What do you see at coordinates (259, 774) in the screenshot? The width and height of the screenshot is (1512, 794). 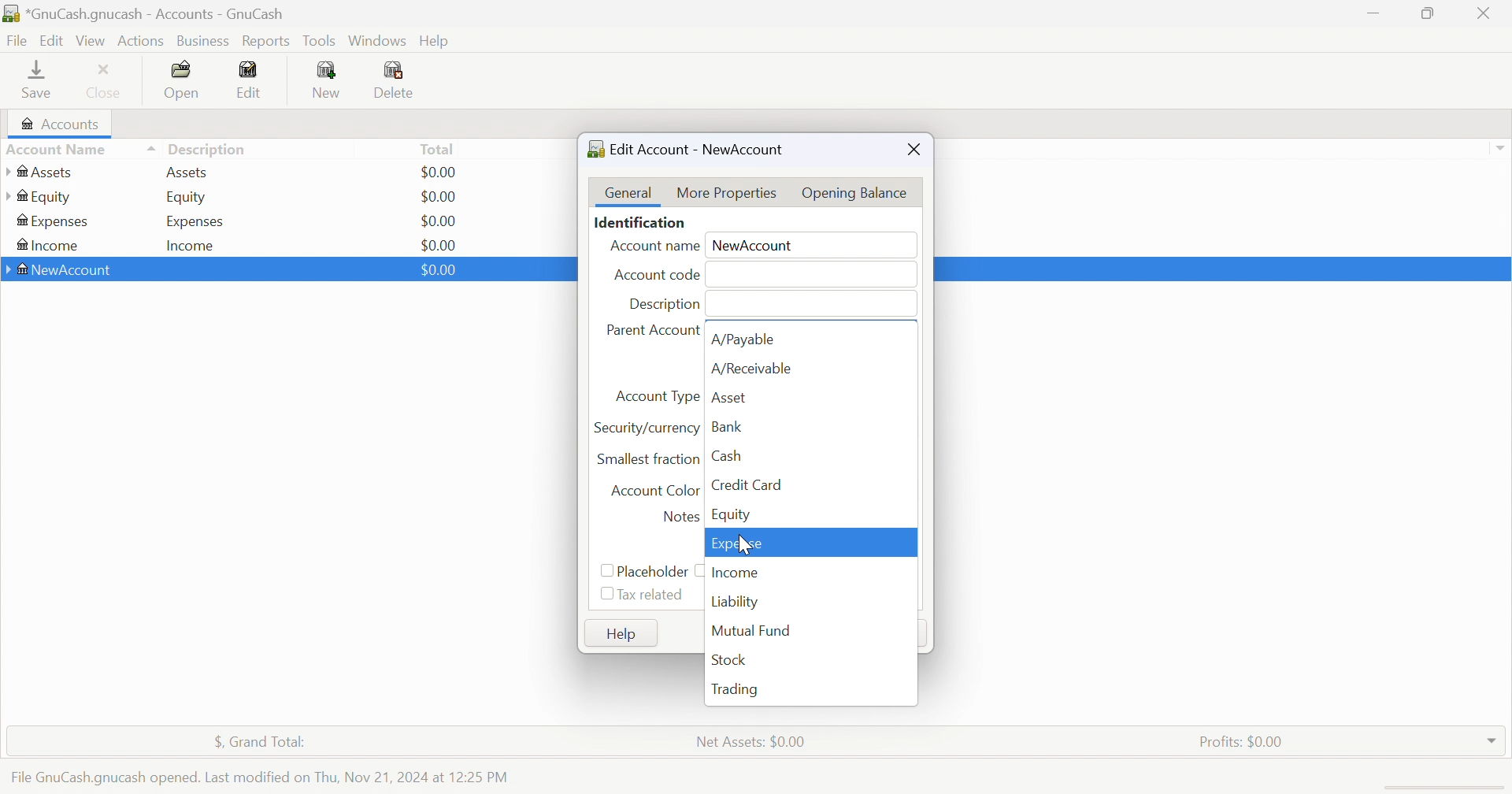 I see `File GnuCash.gnucash opened. Last modified on Thu, Nov 21, 2024 at 12:25 PM` at bounding box center [259, 774].